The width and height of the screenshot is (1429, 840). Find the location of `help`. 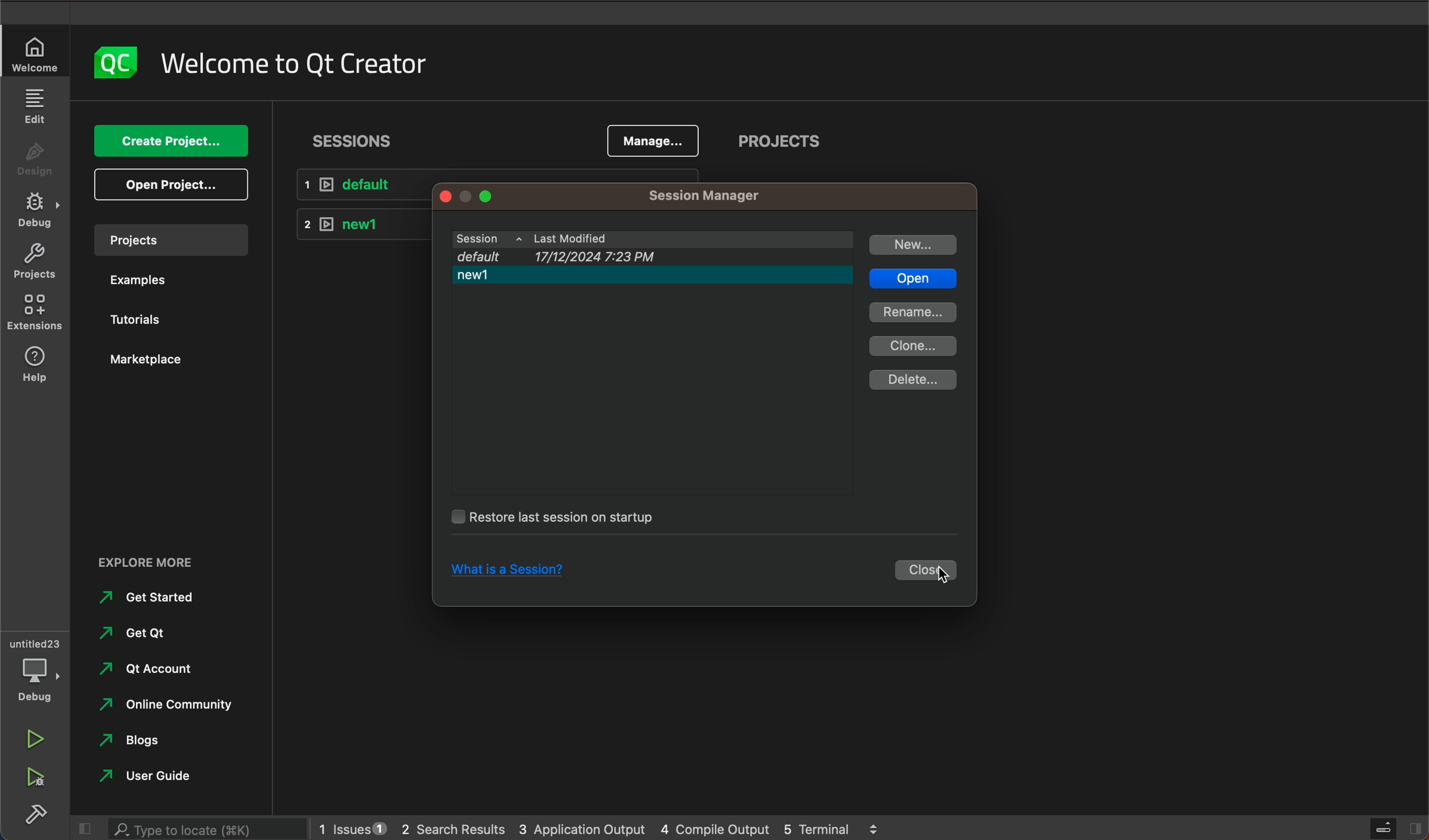

help is located at coordinates (38, 366).